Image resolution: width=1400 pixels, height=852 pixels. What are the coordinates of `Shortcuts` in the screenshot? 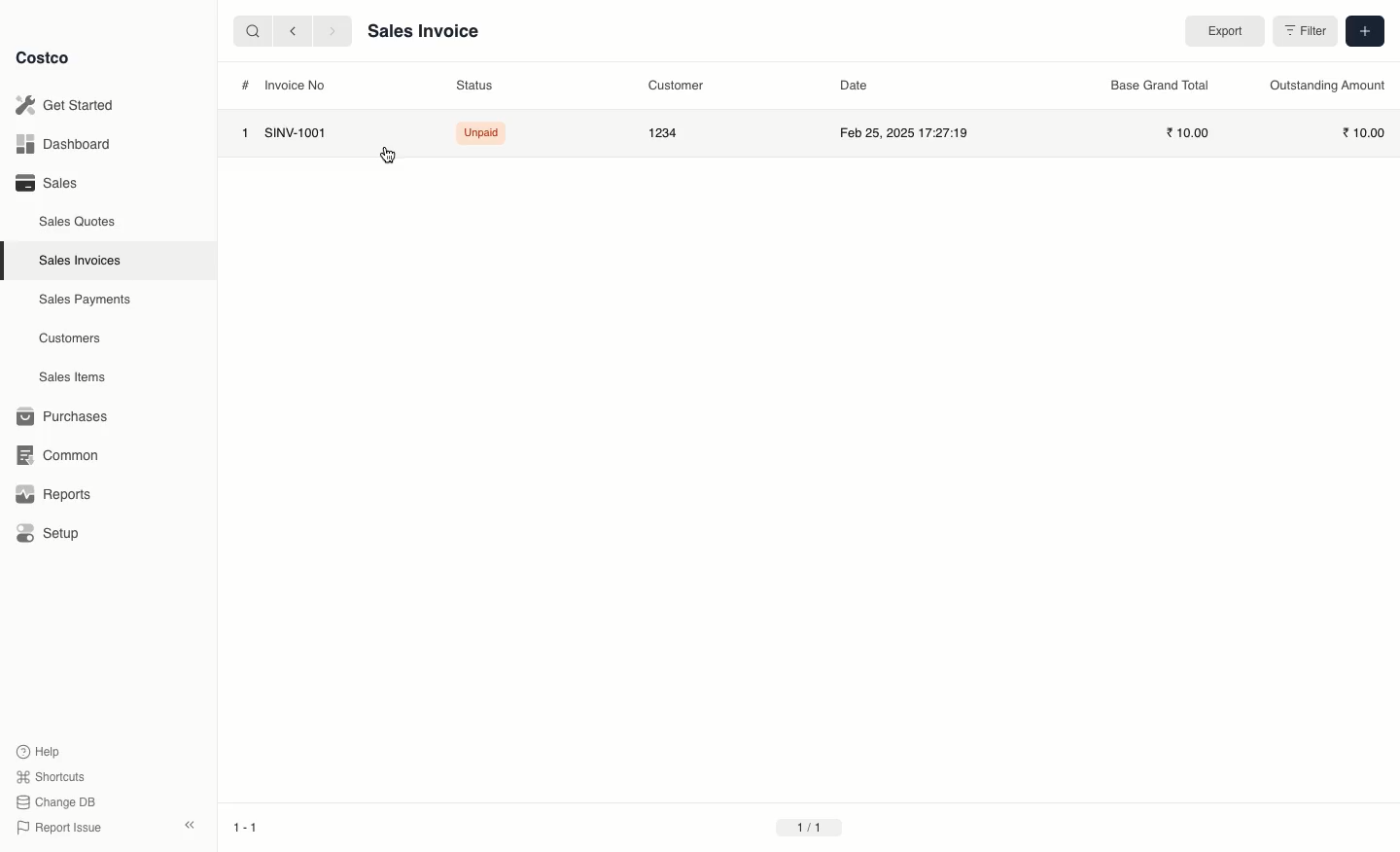 It's located at (52, 775).